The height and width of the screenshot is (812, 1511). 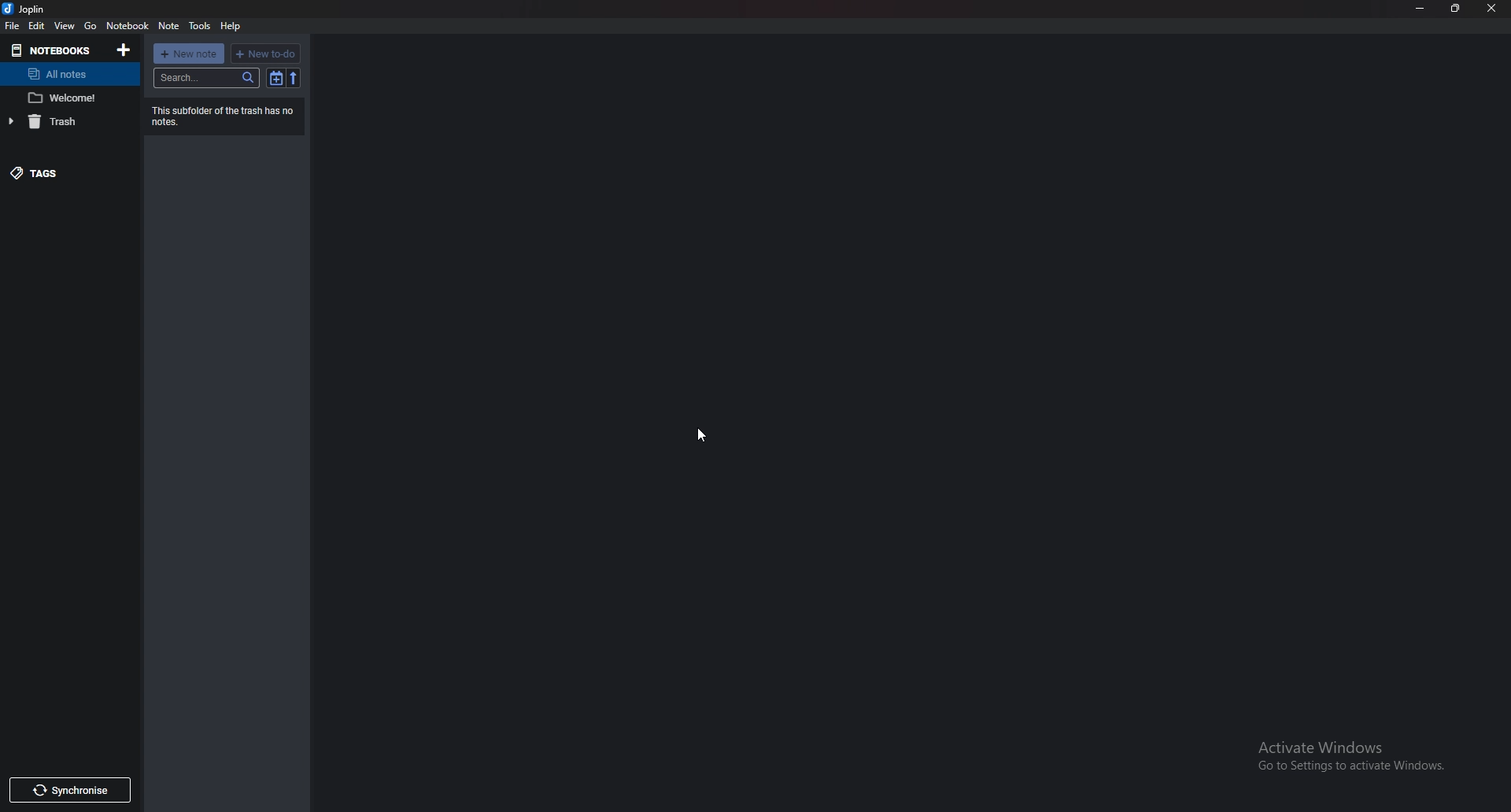 I want to click on go, so click(x=91, y=26).